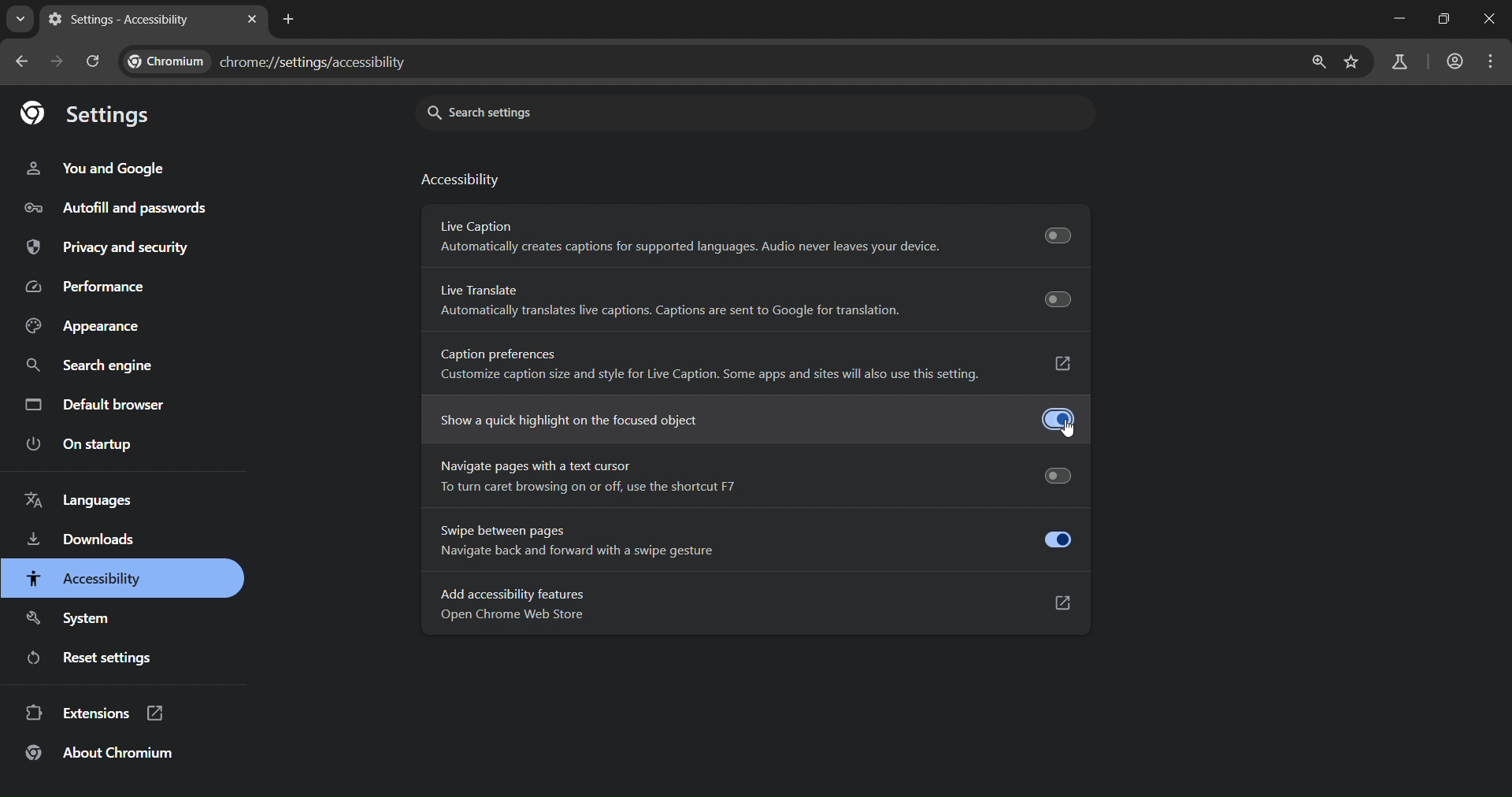  I want to click on search settings, so click(615, 112).